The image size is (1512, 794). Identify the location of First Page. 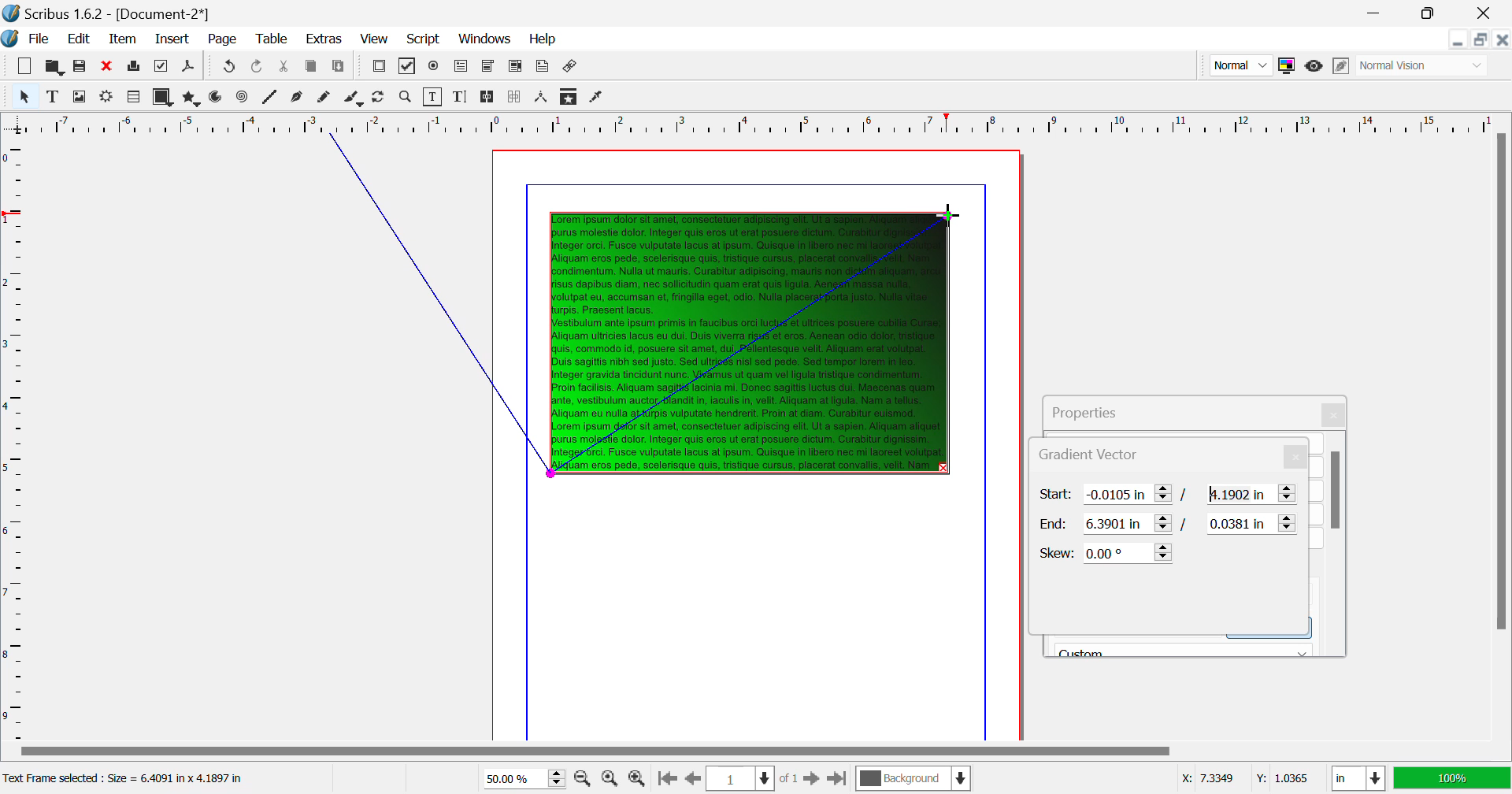
(665, 780).